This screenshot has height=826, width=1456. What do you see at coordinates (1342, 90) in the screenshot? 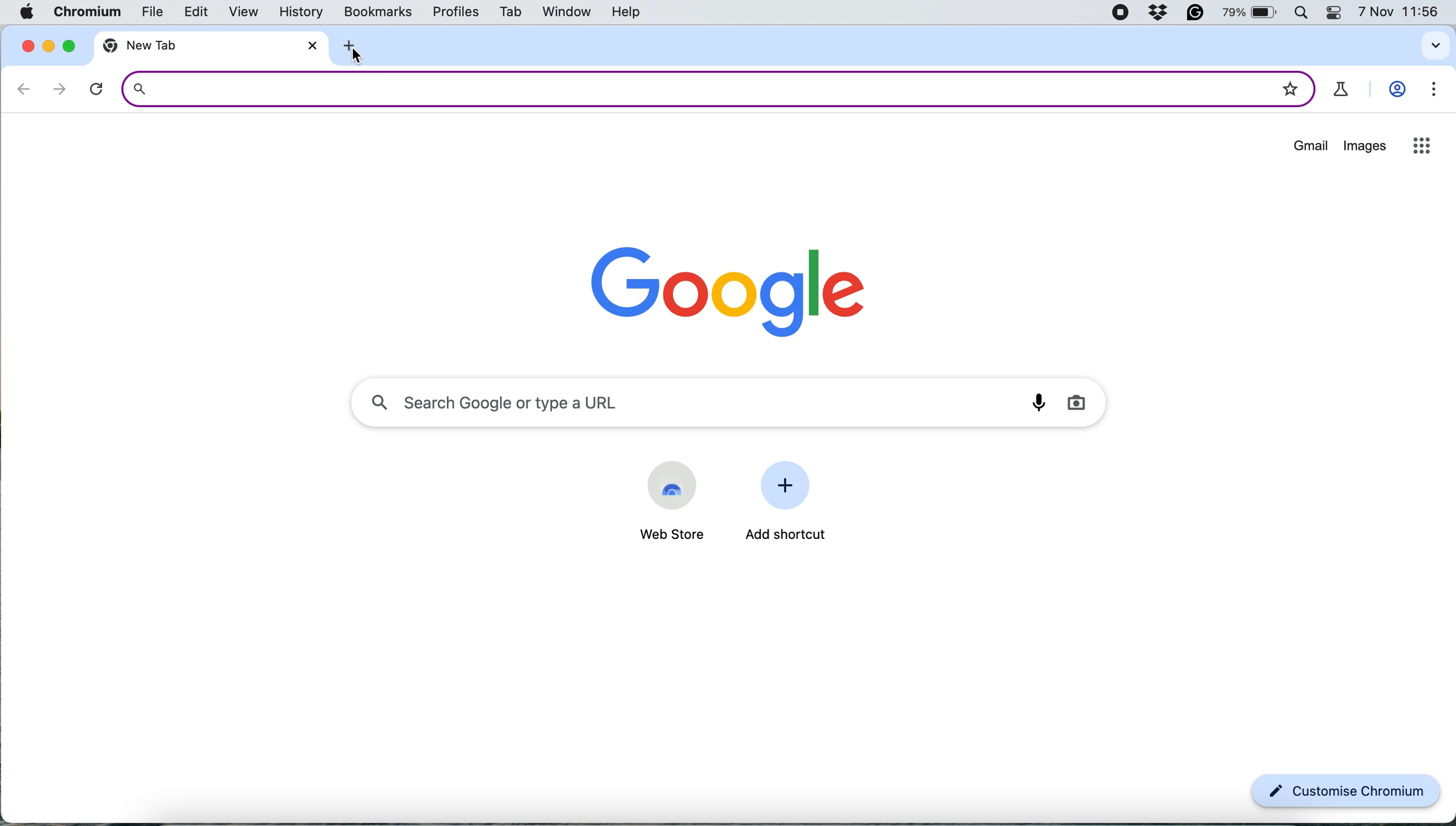
I see `chrome labs` at bounding box center [1342, 90].